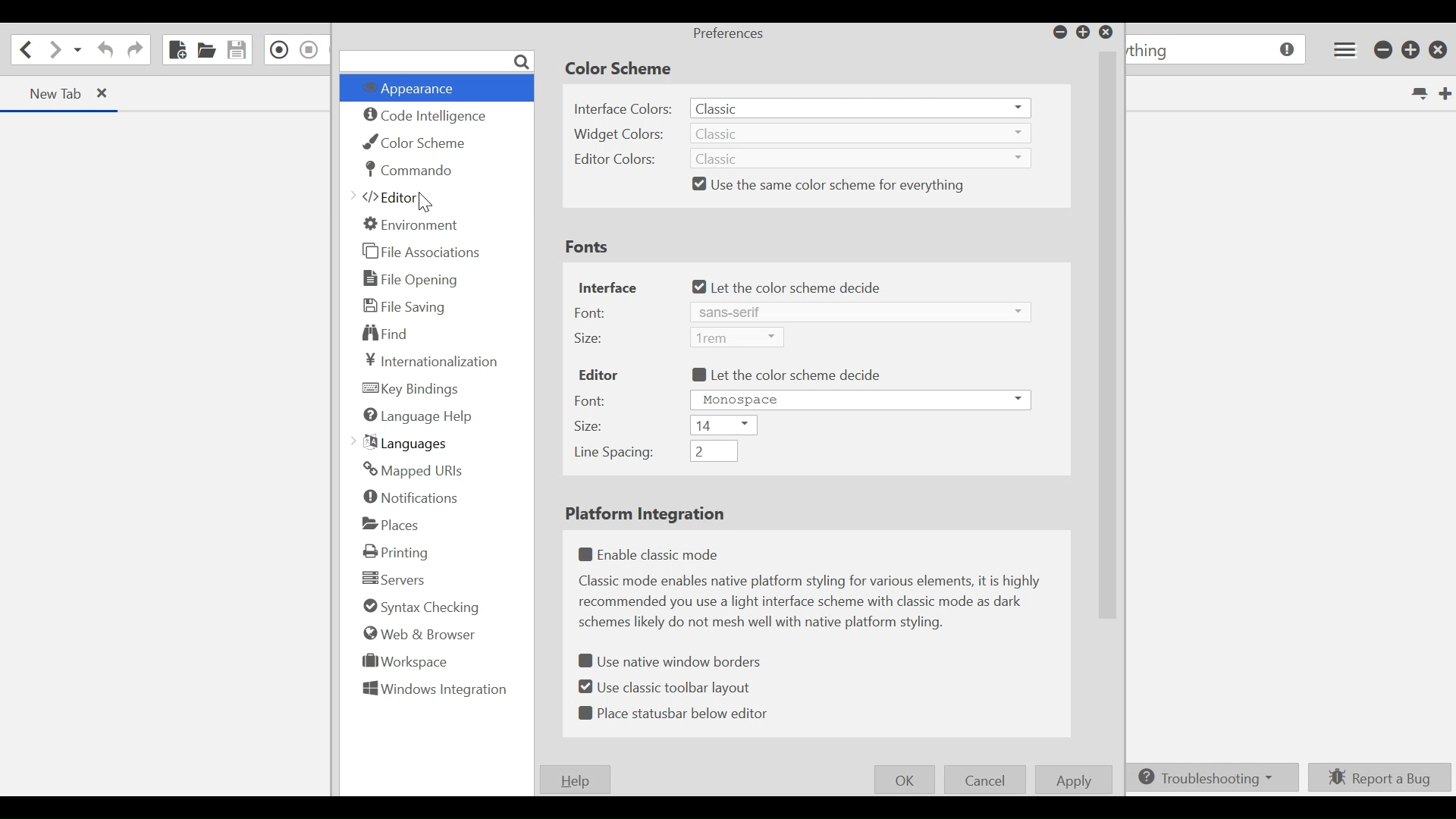 Image resolution: width=1456 pixels, height=819 pixels. I want to click on Save File, so click(236, 50).